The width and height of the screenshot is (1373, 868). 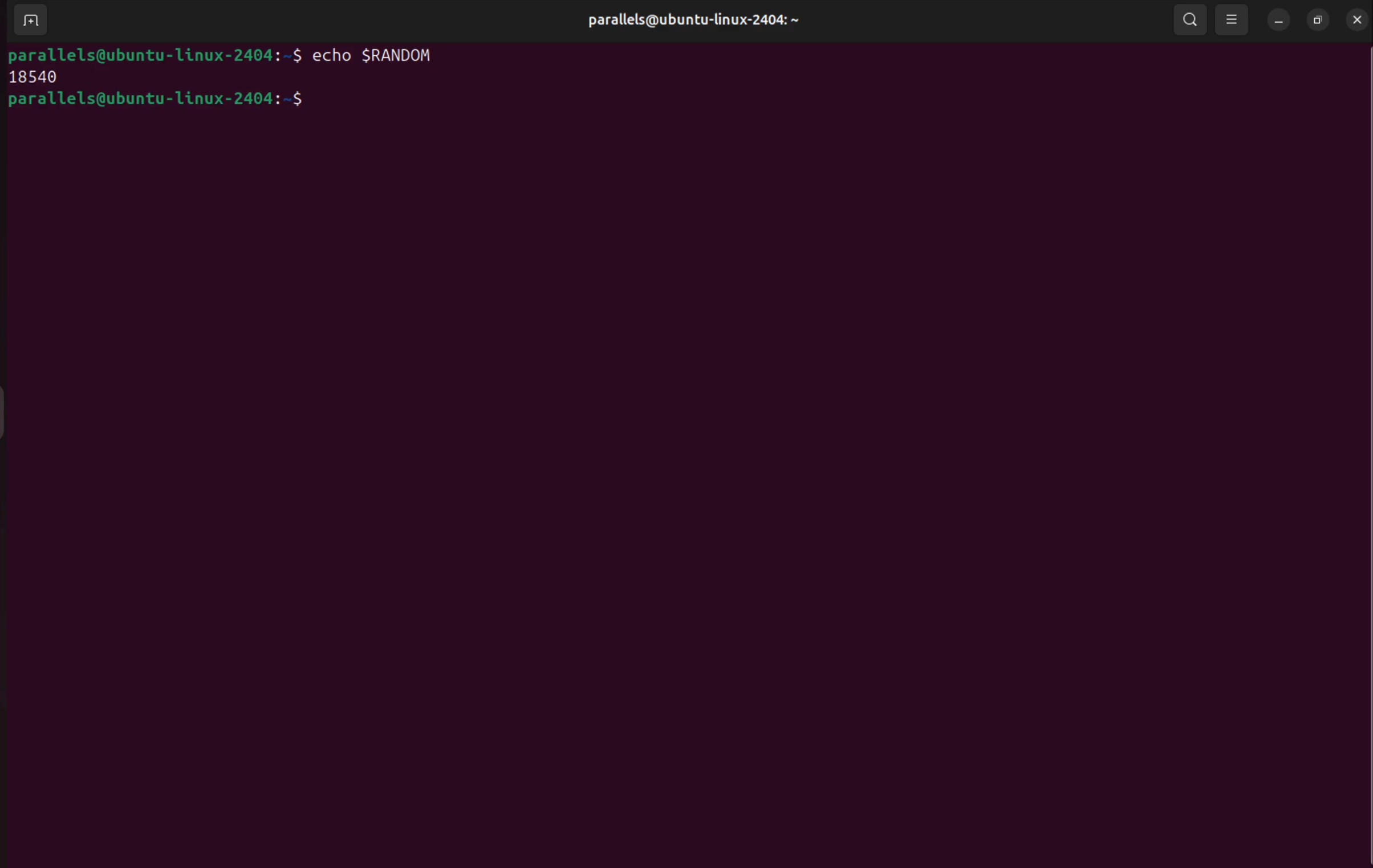 What do you see at coordinates (1278, 22) in the screenshot?
I see `minimize` at bounding box center [1278, 22].